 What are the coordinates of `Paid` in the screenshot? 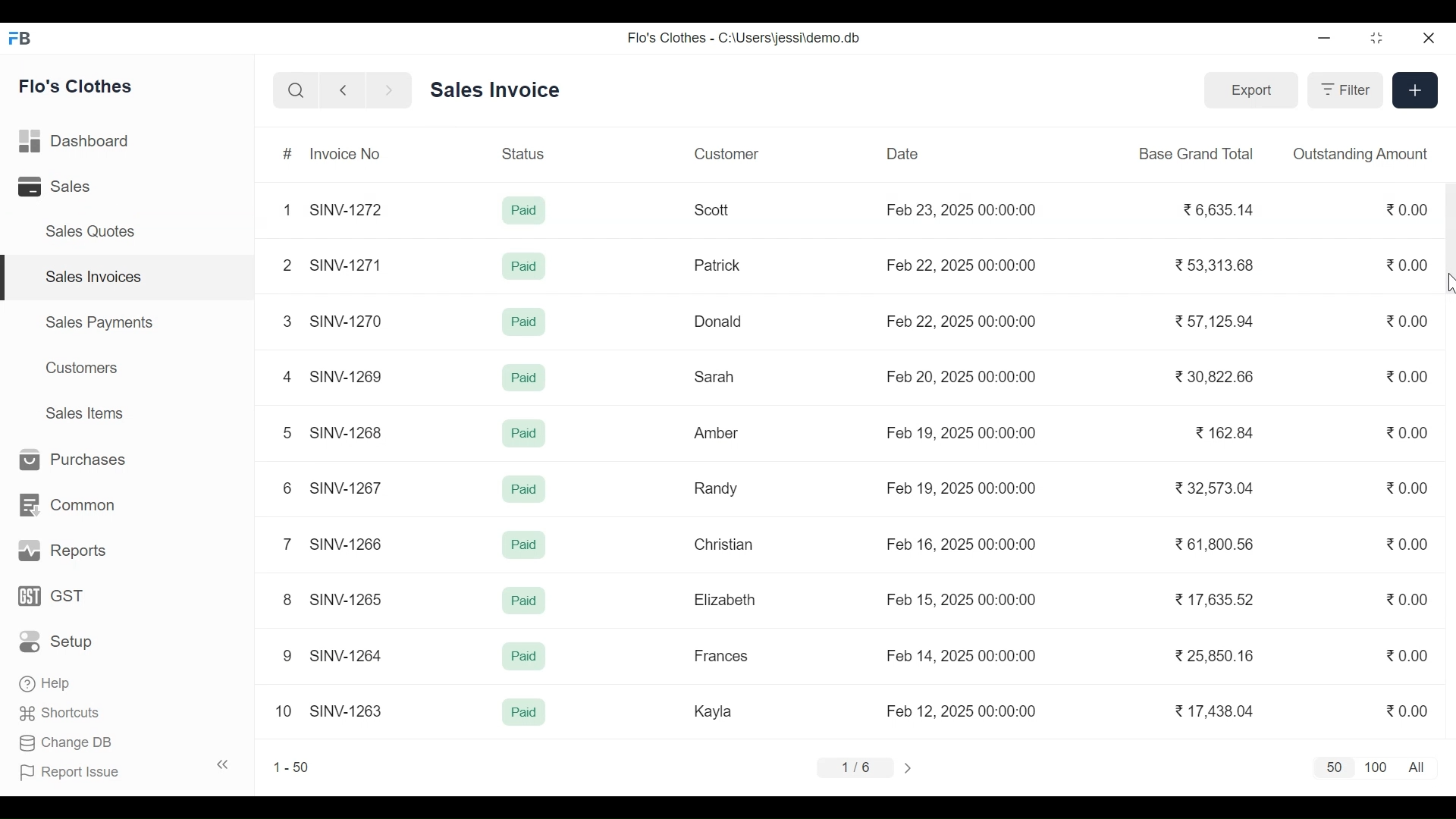 It's located at (525, 711).